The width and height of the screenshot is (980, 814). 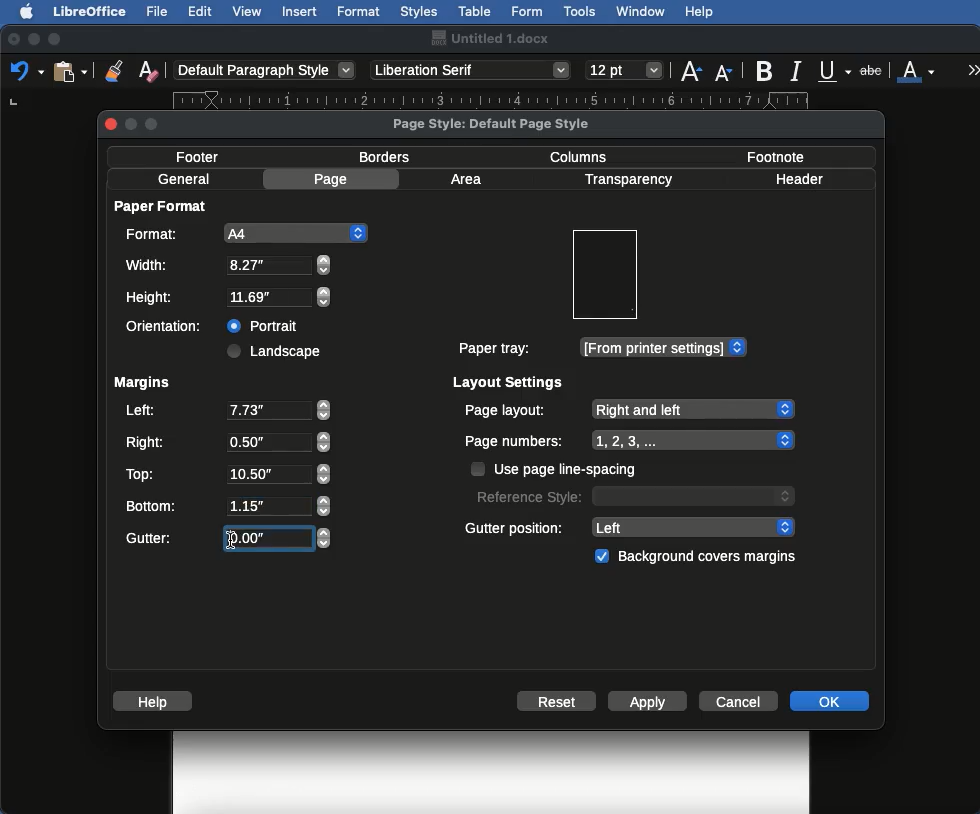 I want to click on Header, so click(x=799, y=179).